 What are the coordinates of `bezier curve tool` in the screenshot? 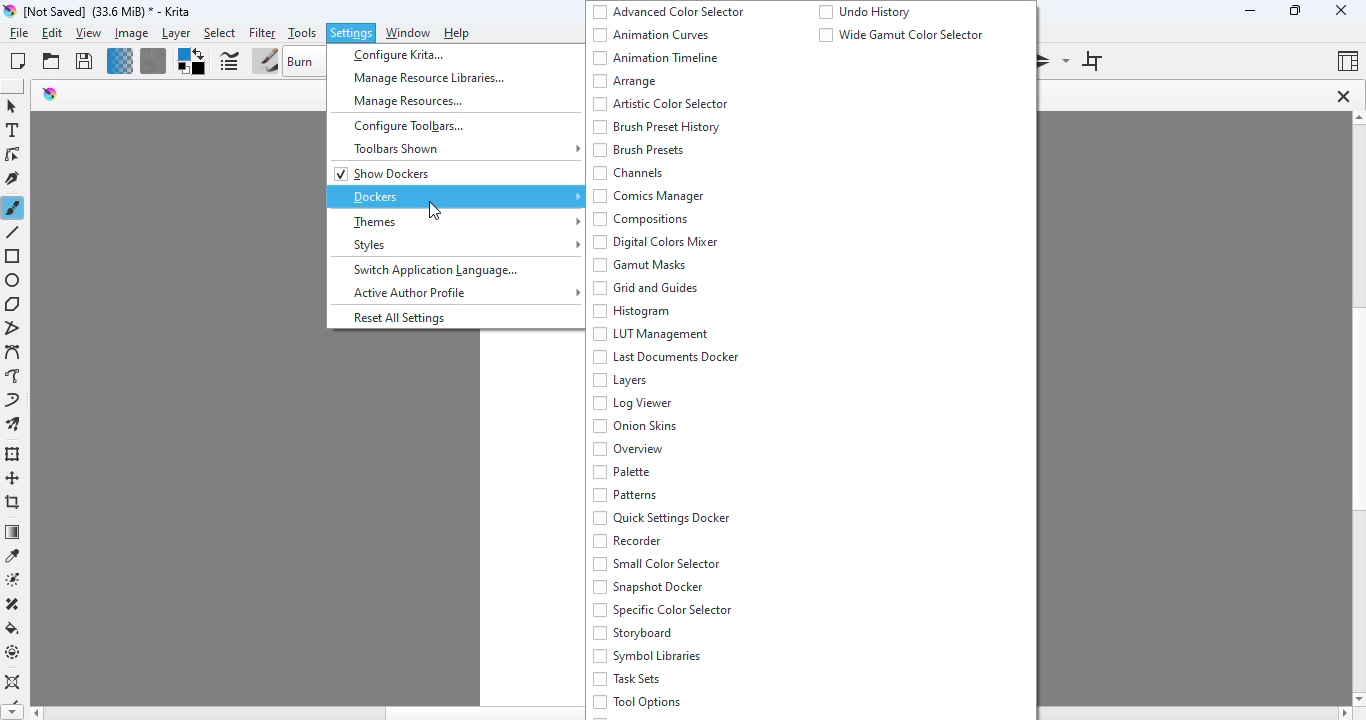 It's located at (14, 353).